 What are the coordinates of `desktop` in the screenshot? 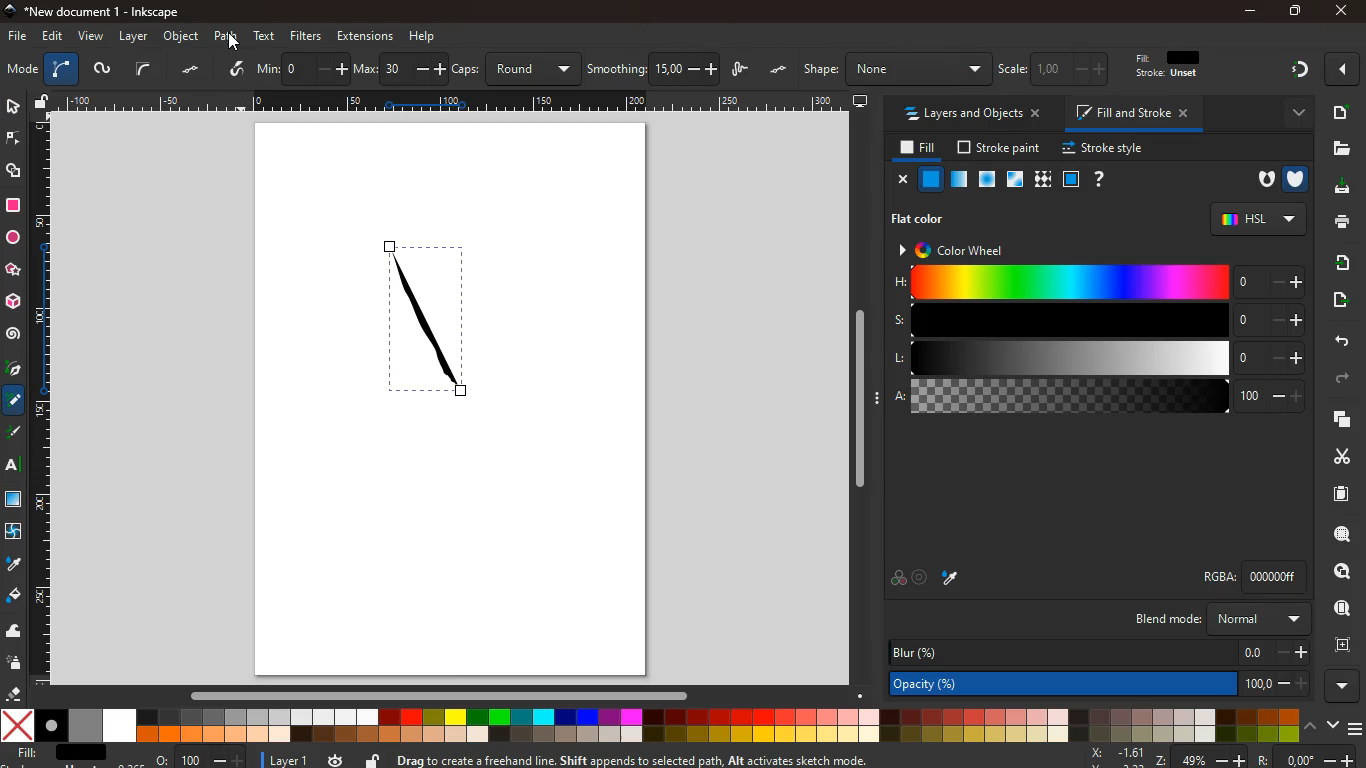 It's located at (861, 102).